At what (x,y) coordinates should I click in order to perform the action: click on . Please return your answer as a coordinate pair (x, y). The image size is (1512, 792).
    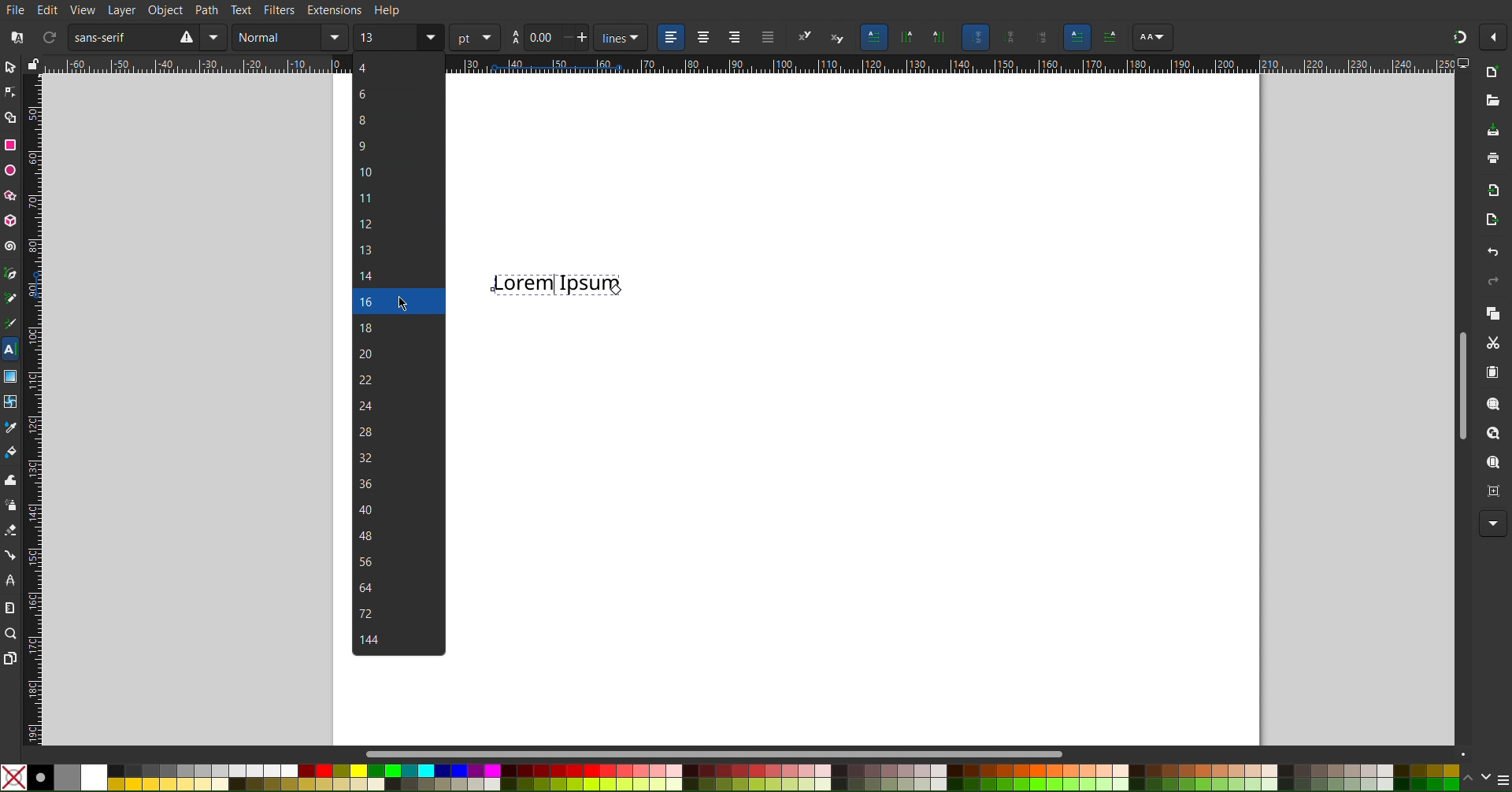
    Looking at the image, I should click on (1110, 38).